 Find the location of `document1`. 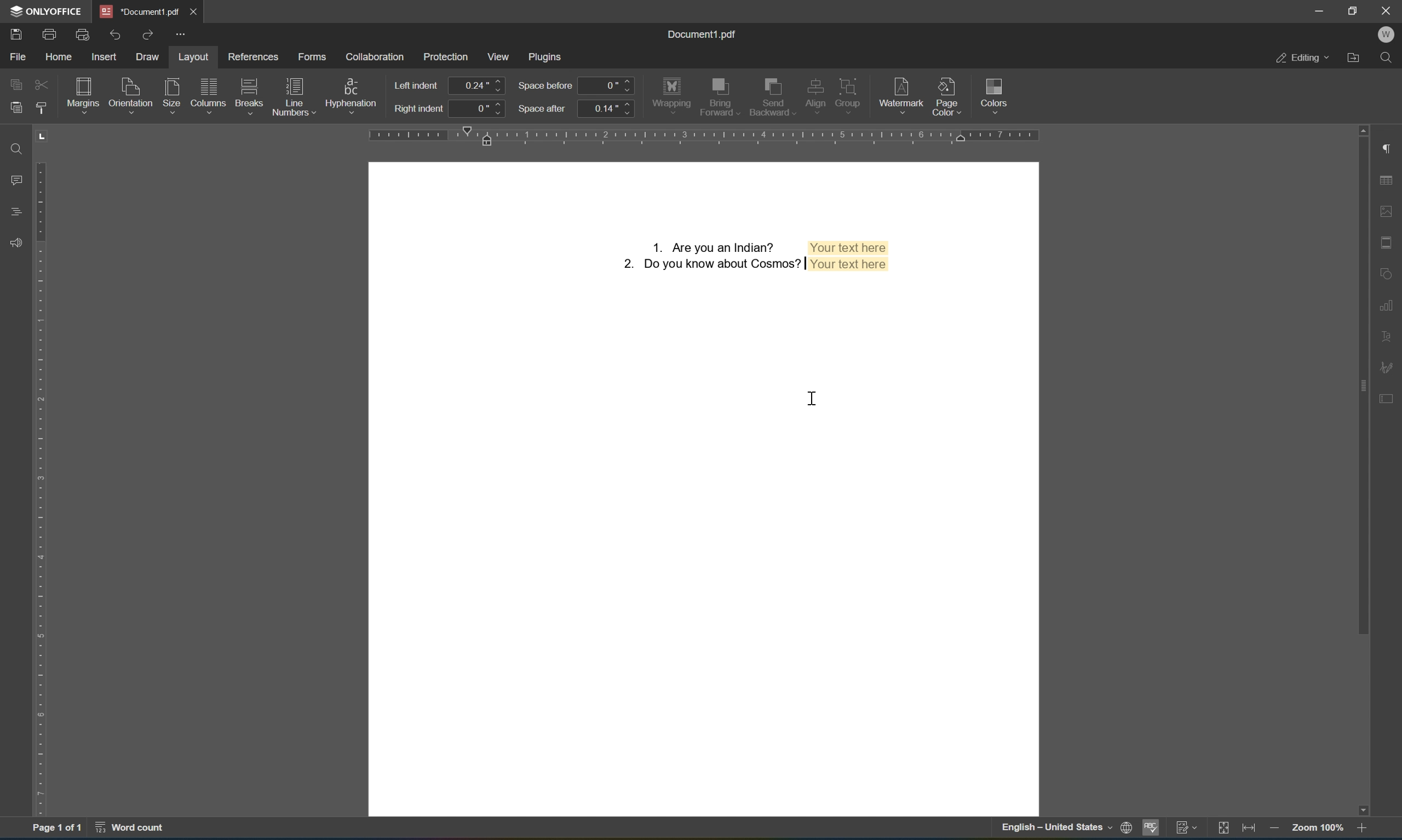

document1 is located at coordinates (140, 11).